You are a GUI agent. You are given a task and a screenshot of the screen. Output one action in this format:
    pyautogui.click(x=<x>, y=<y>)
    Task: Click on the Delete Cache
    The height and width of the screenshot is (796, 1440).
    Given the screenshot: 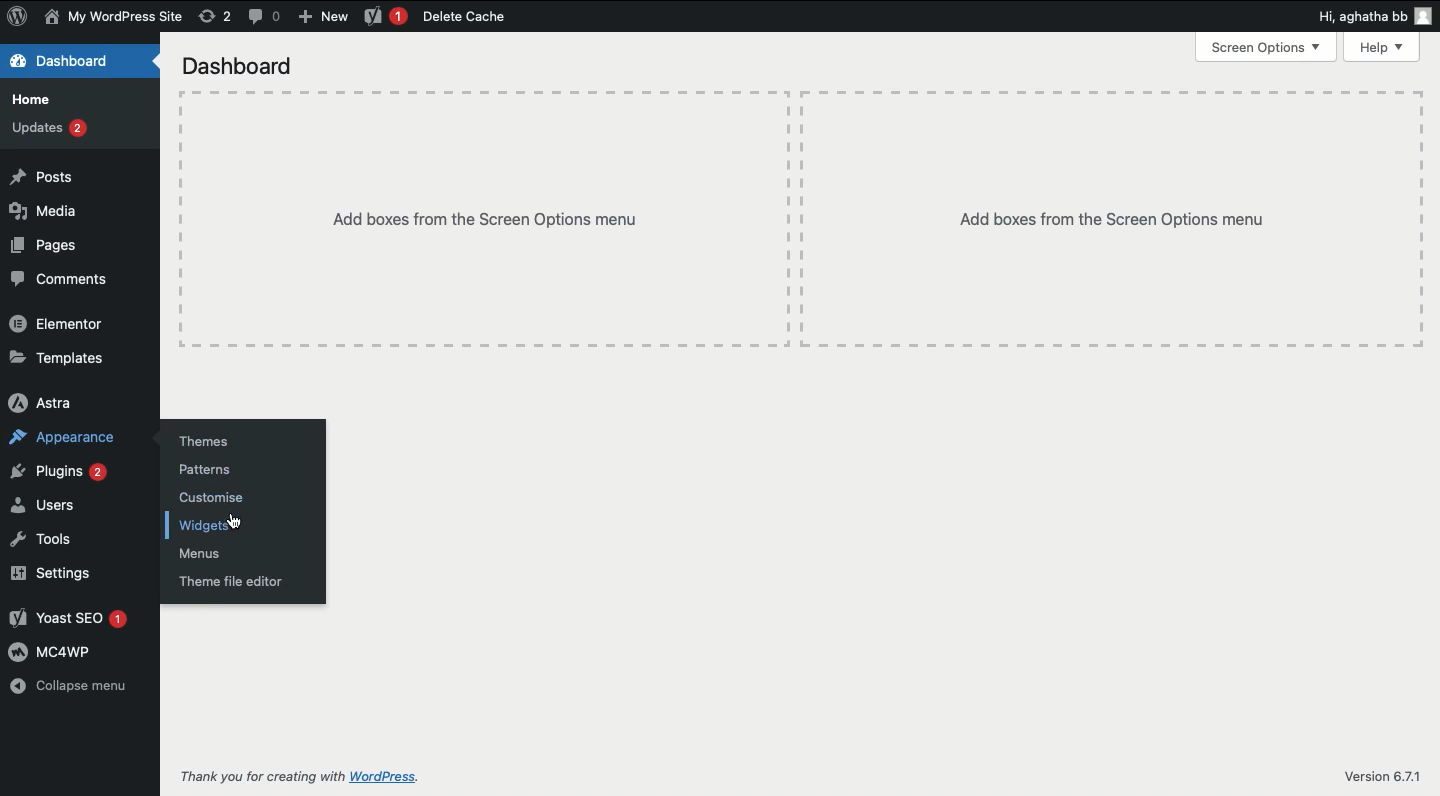 What is the action you would take?
    pyautogui.click(x=441, y=14)
    